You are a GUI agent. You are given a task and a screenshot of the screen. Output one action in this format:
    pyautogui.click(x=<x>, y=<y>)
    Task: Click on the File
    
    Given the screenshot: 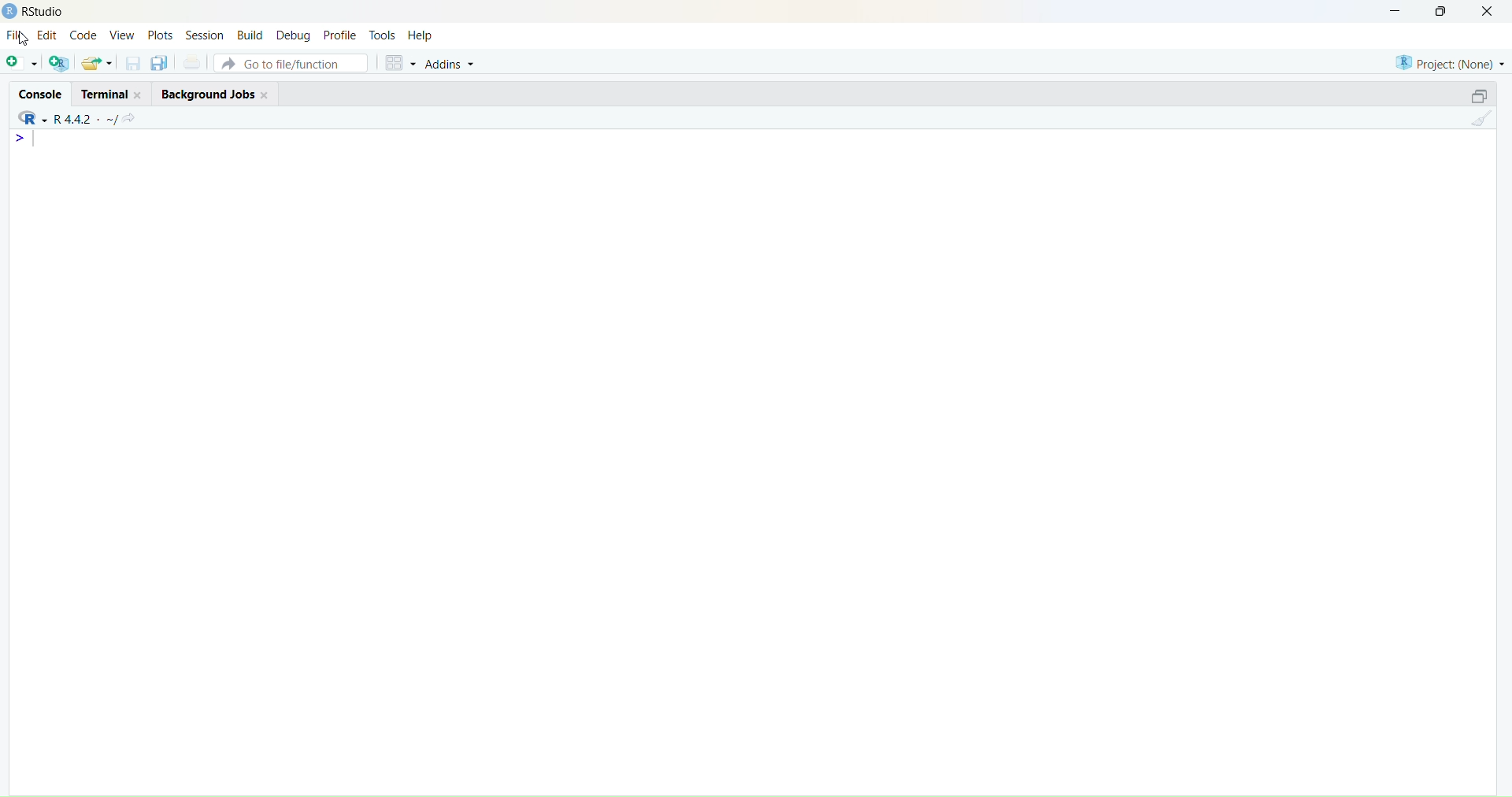 What is the action you would take?
    pyautogui.click(x=17, y=34)
    